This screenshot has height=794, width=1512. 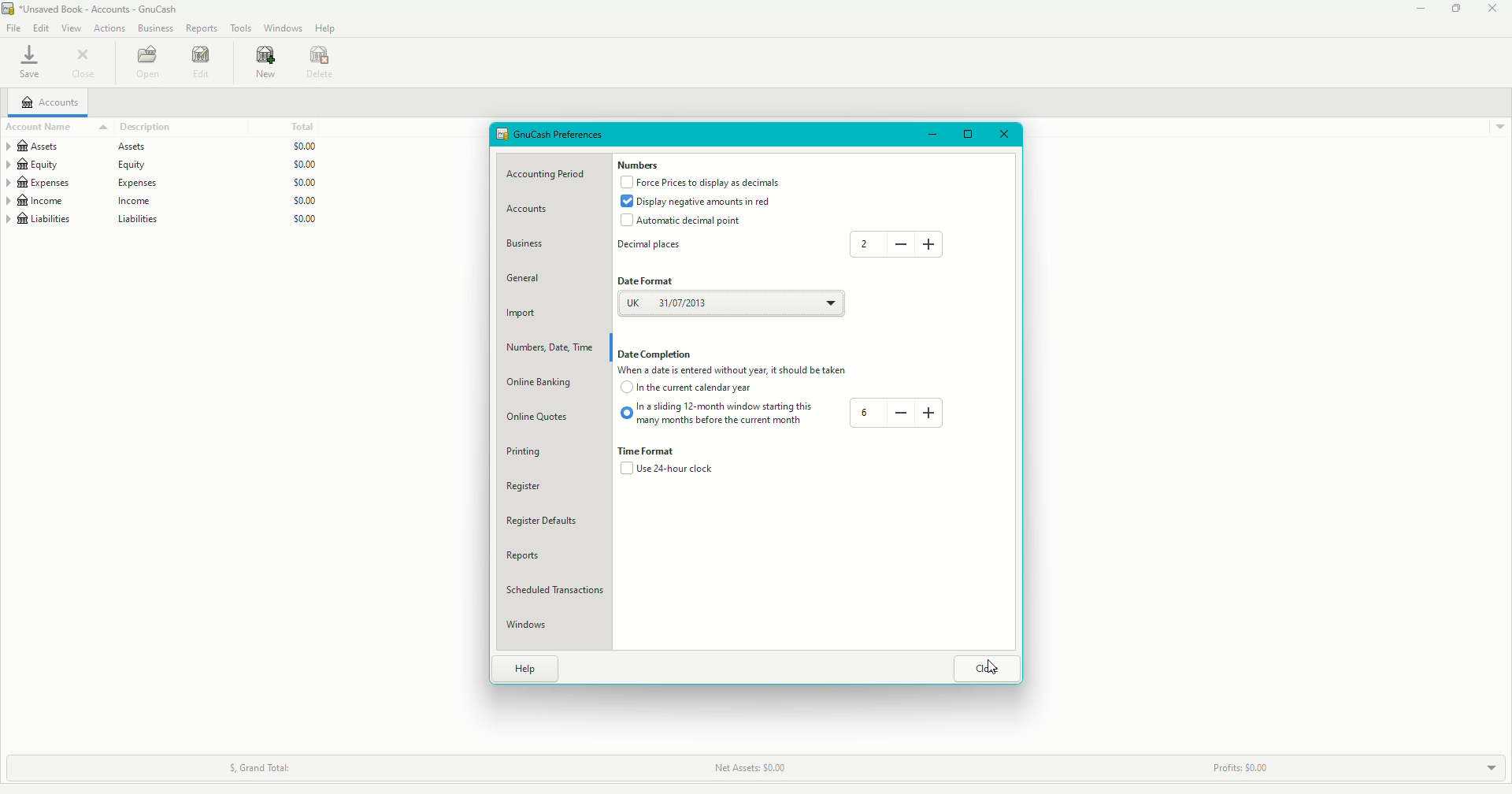 What do you see at coordinates (551, 347) in the screenshot?
I see `numbers, date, time` at bounding box center [551, 347].